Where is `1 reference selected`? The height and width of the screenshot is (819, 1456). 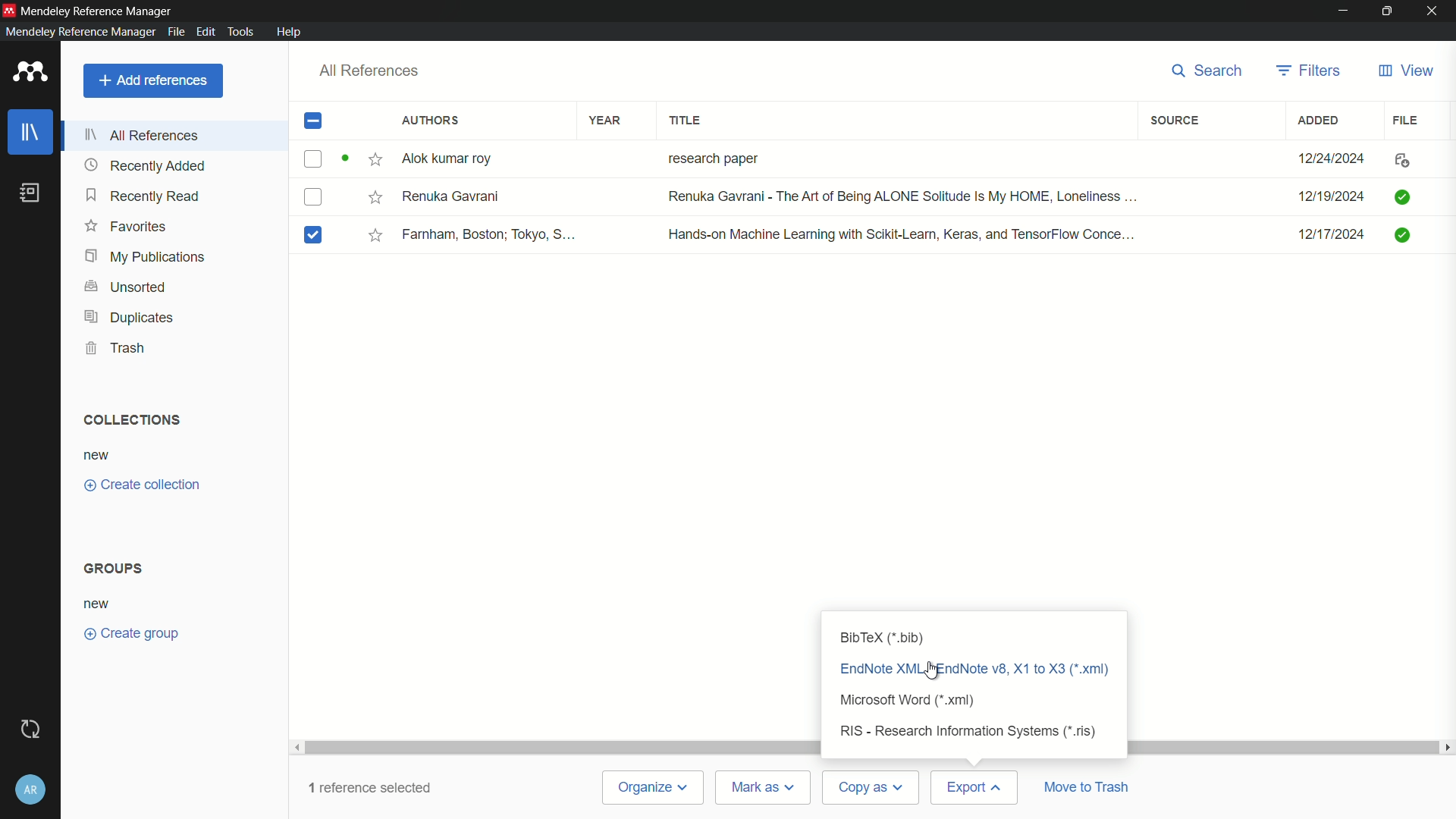
1 reference selected is located at coordinates (375, 787).